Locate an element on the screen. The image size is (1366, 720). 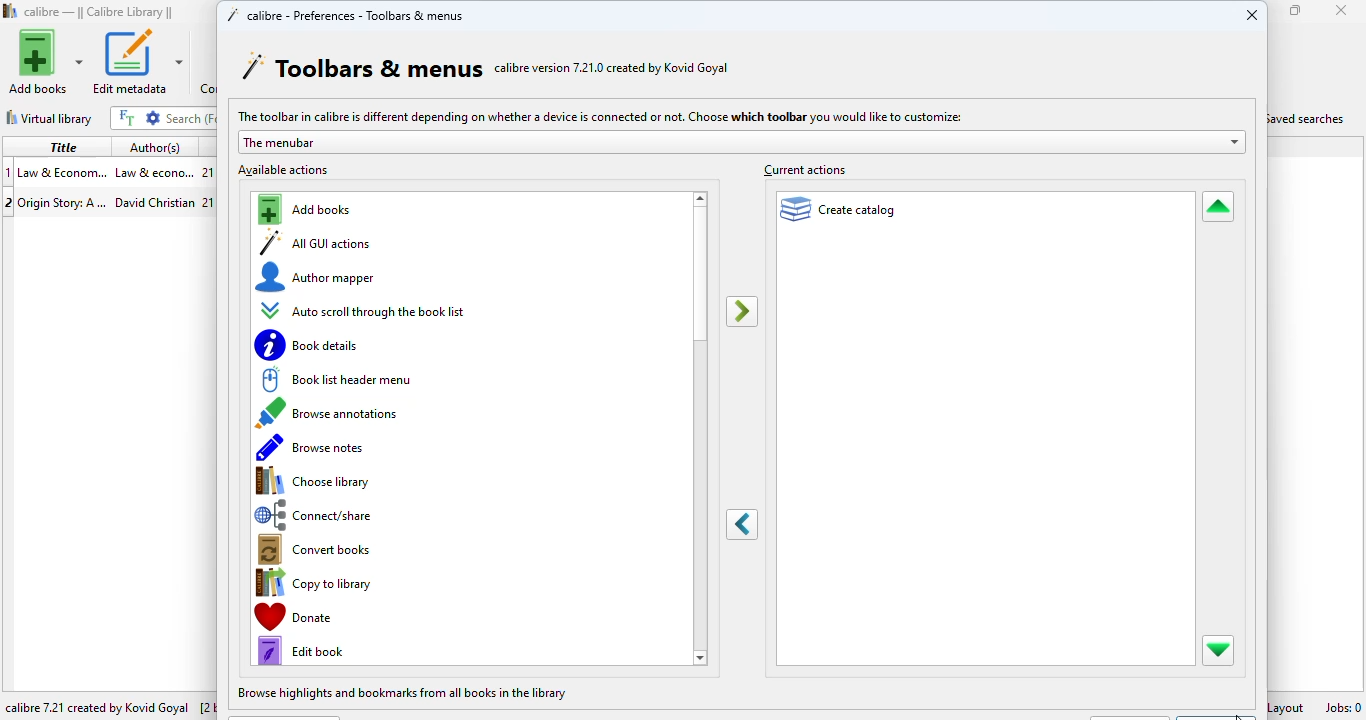
book list header menu is located at coordinates (336, 379).